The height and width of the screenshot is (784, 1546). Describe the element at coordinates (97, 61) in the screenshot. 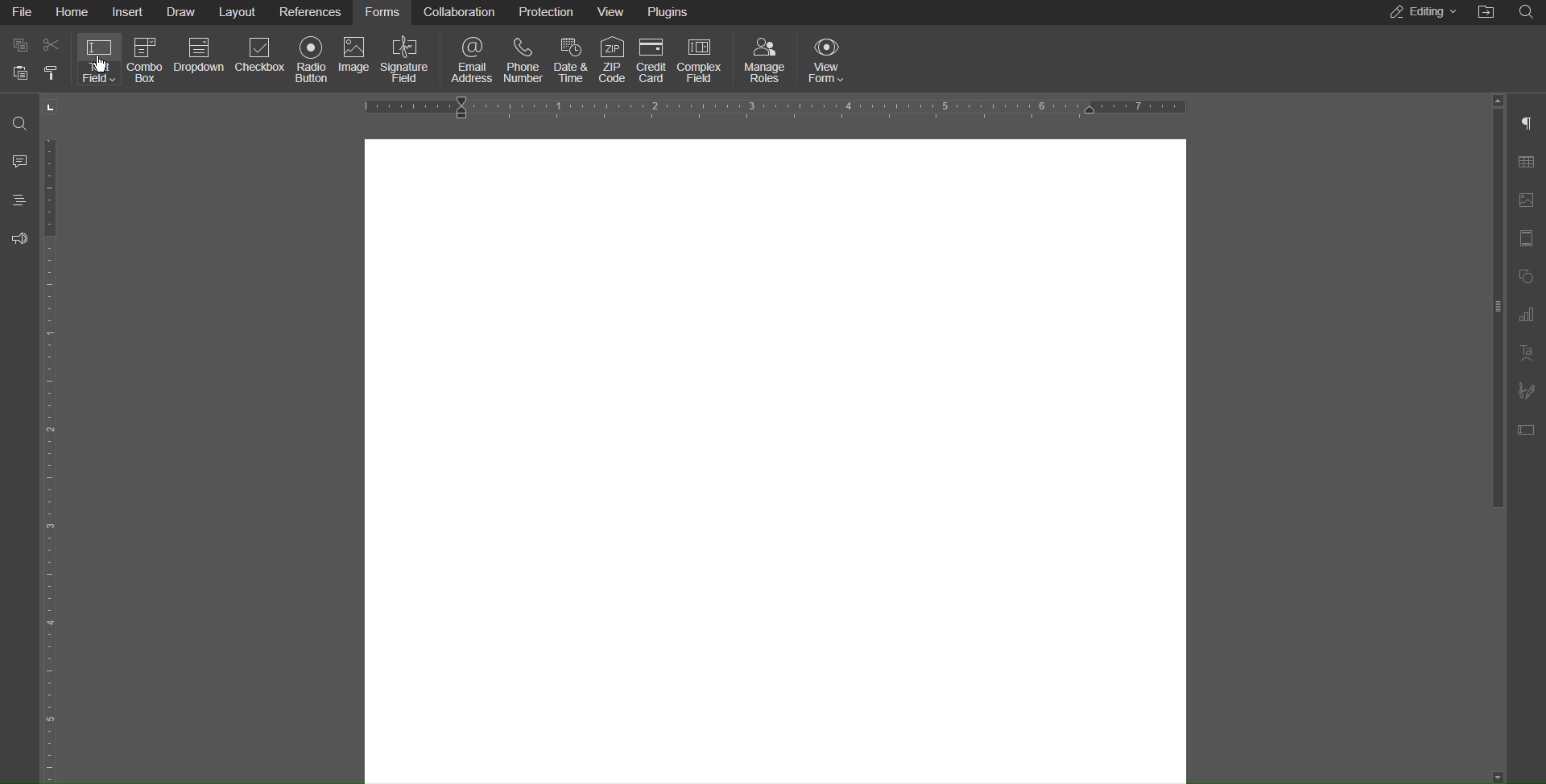

I see `Text Field` at that location.